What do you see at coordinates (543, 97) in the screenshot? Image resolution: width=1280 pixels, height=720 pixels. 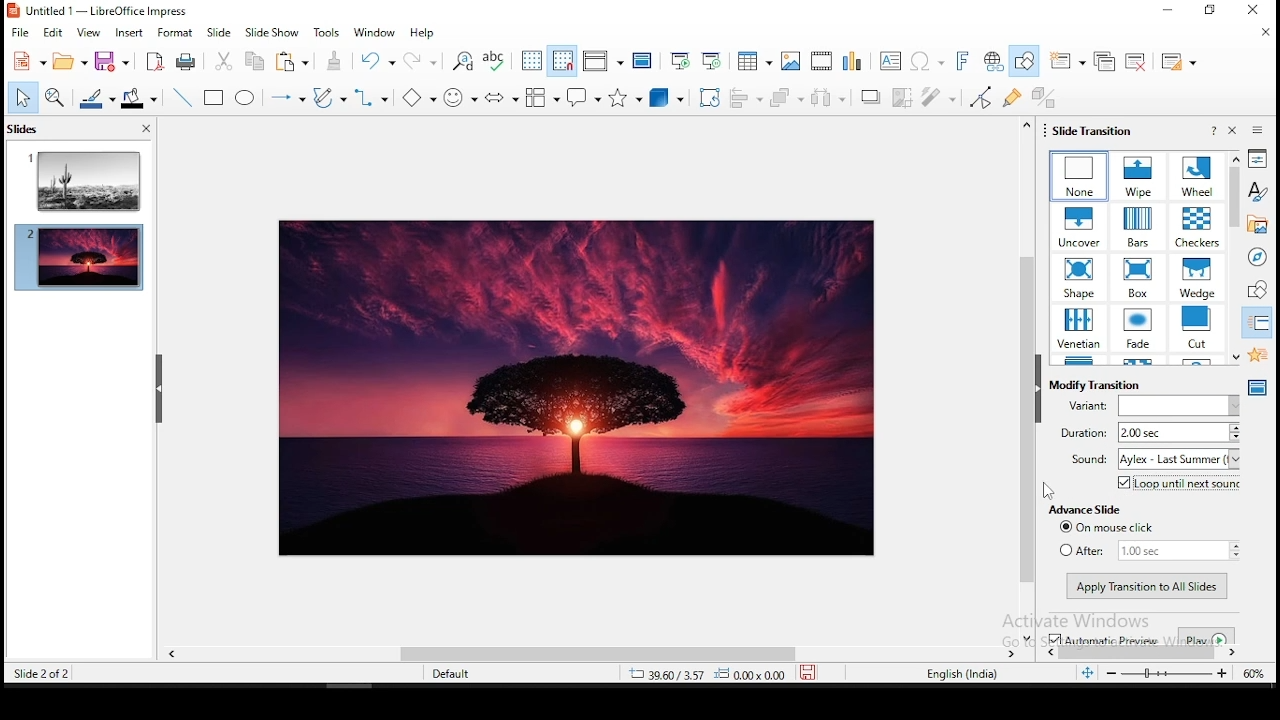 I see `flowchart` at bounding box center [543, 97].